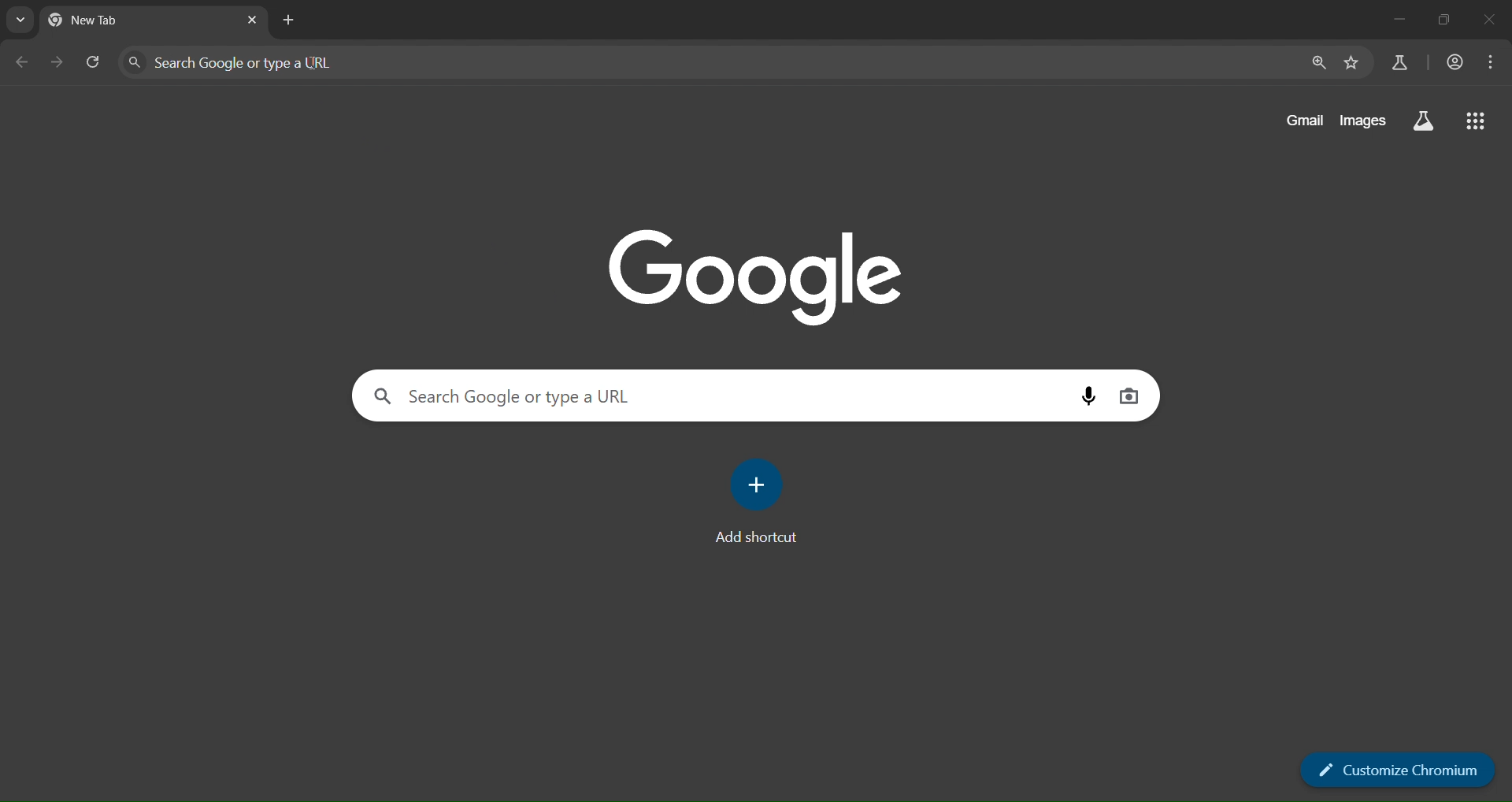 This screenshot has height=802, width=1512. Describe the element at coordinates (1399, 771) in the screenshot. I see `customize chromium` at that location.